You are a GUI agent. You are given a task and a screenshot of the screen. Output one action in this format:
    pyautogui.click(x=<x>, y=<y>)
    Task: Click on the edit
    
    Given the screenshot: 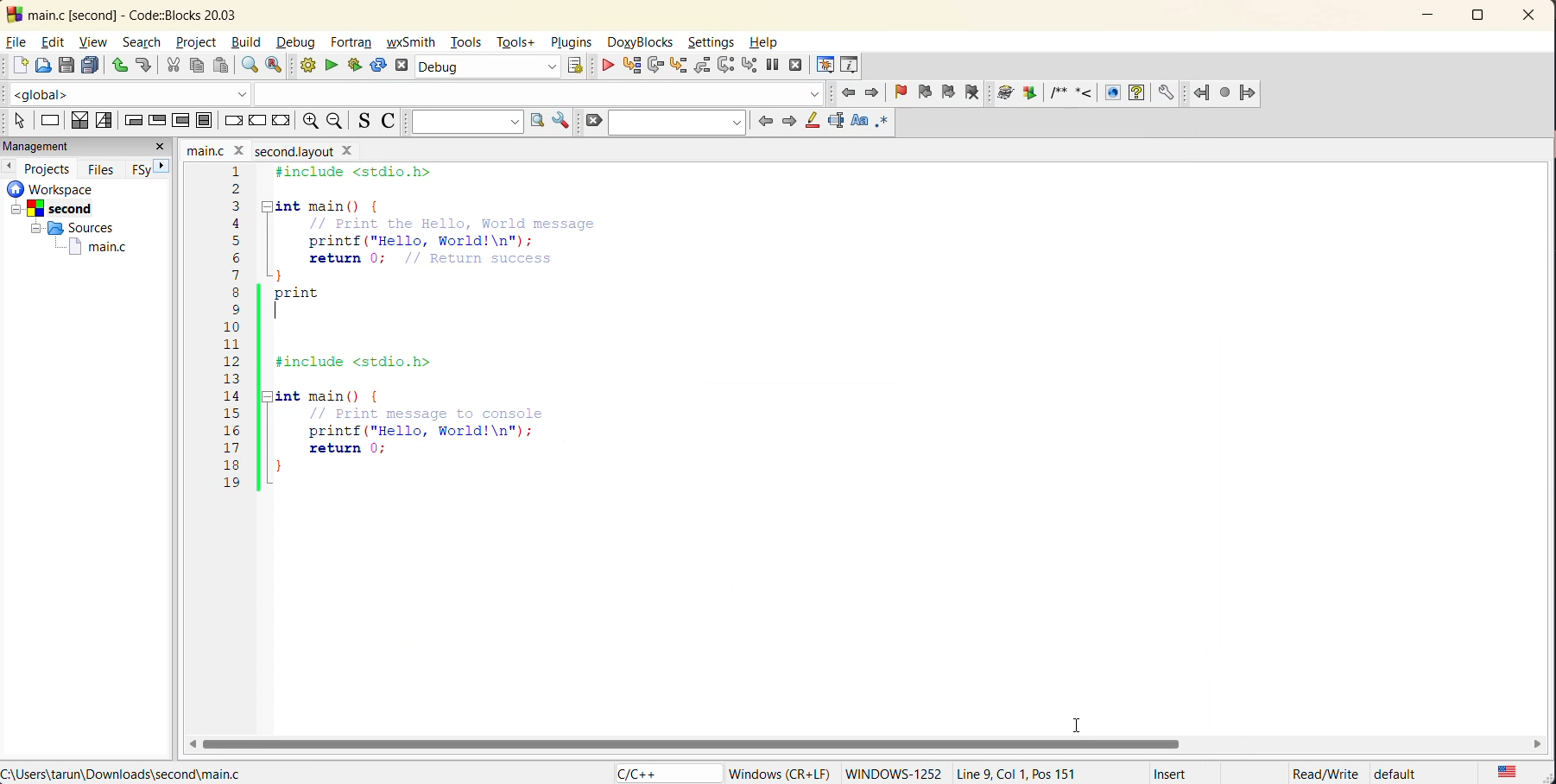 What is the action you would take?
    pyautogui.click(x=56, y=41)
    